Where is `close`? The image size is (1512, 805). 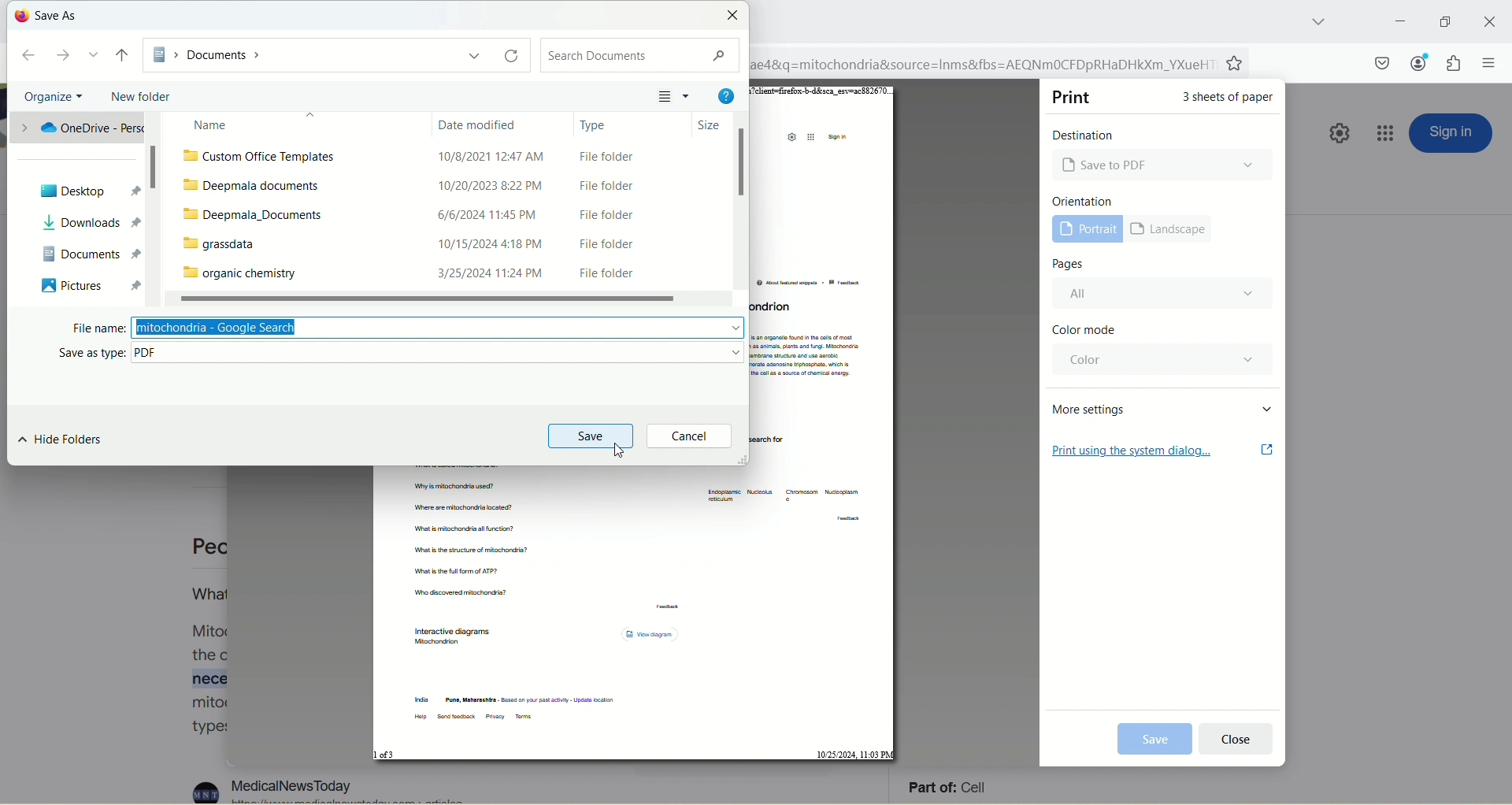
close is located at coordinates (734, 16).